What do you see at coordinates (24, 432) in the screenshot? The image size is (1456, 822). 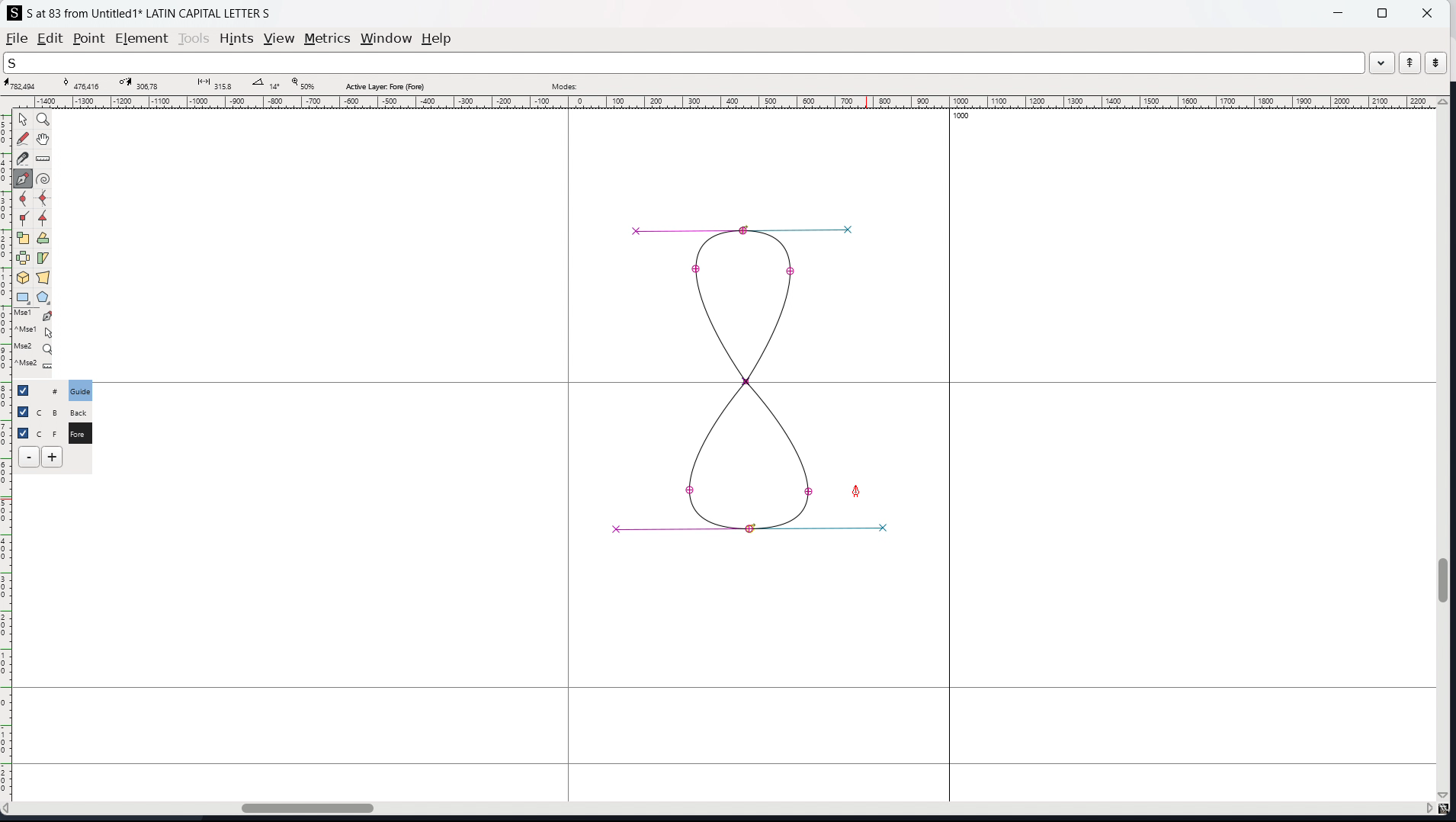 I see `selection toggle` at bounding box center [24, 432].